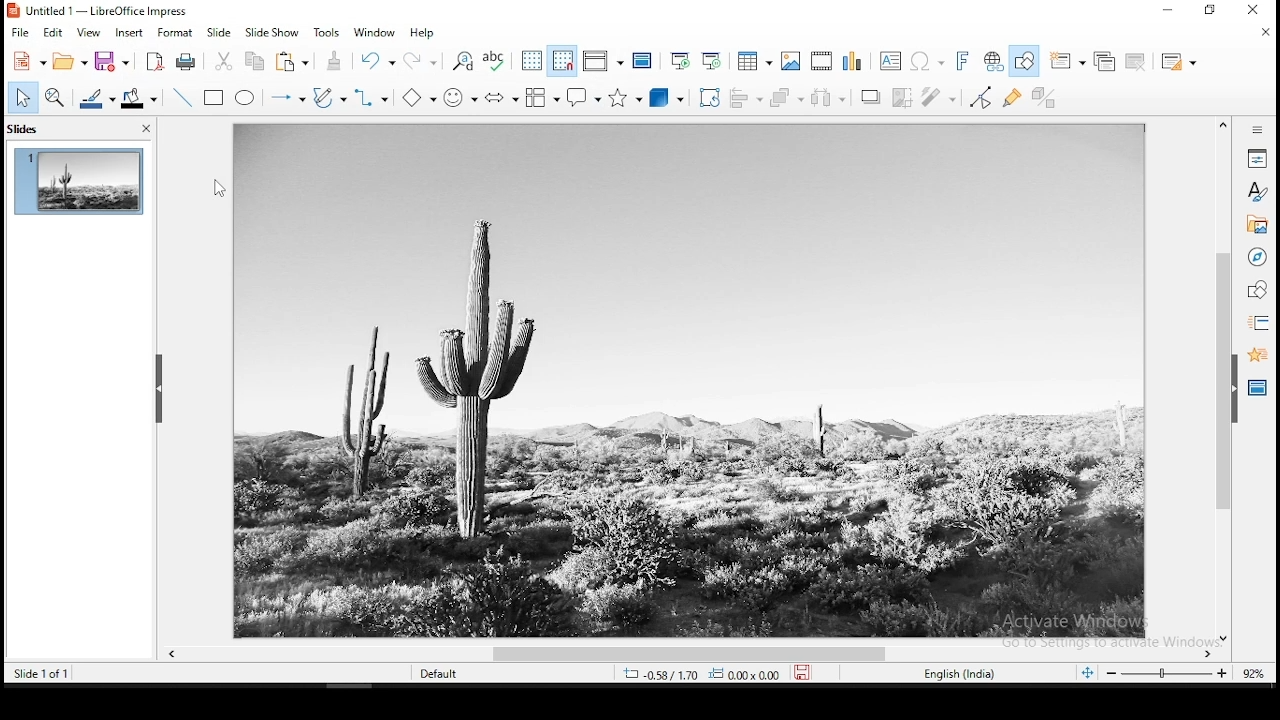 The width and height of the screenshot is (1280, 720). I want to click on zoom level, so click(1251, 673).